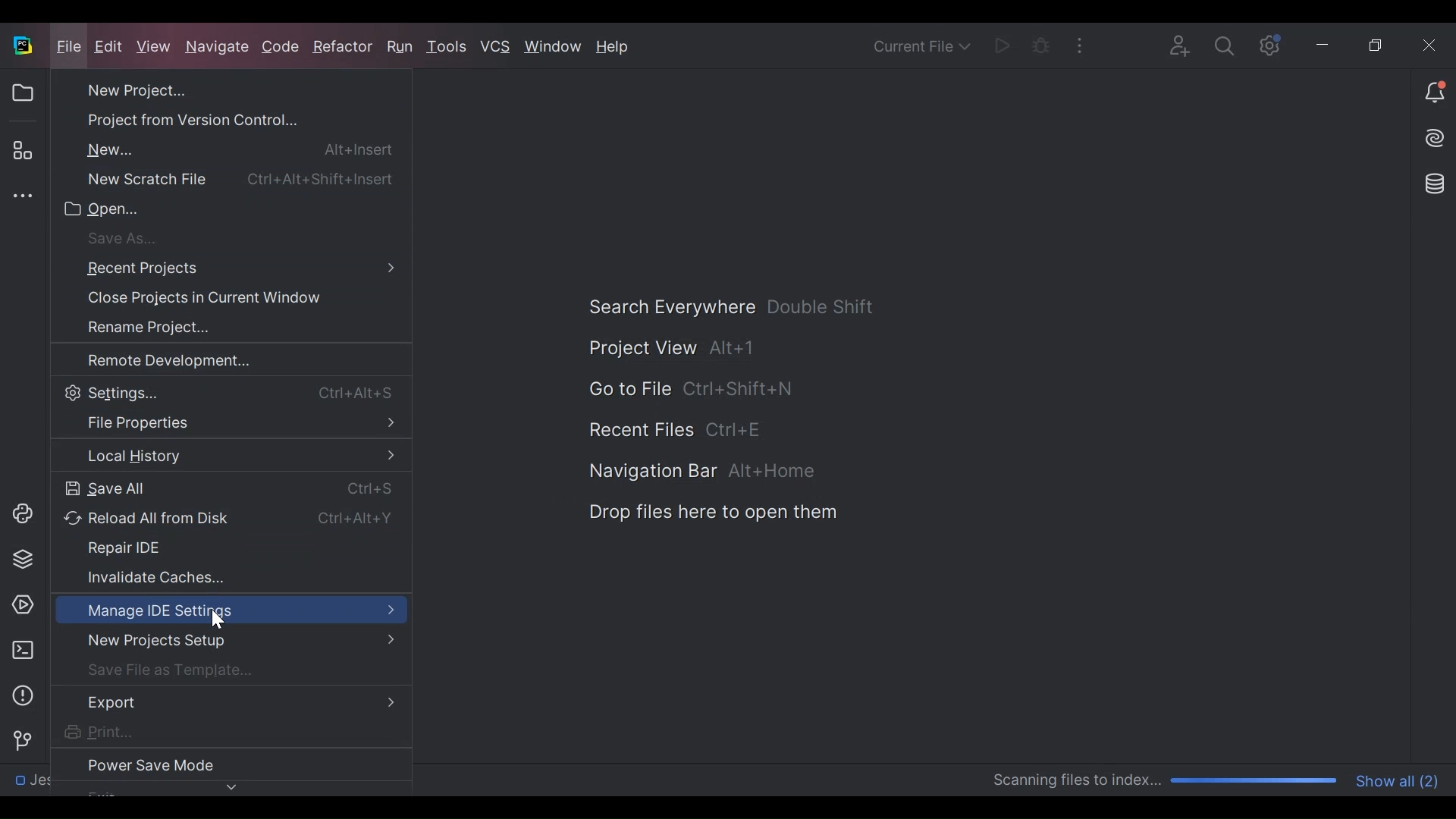  Describe the element at coordinates (614, 48) in the screenshot. I see `Help` at that location.